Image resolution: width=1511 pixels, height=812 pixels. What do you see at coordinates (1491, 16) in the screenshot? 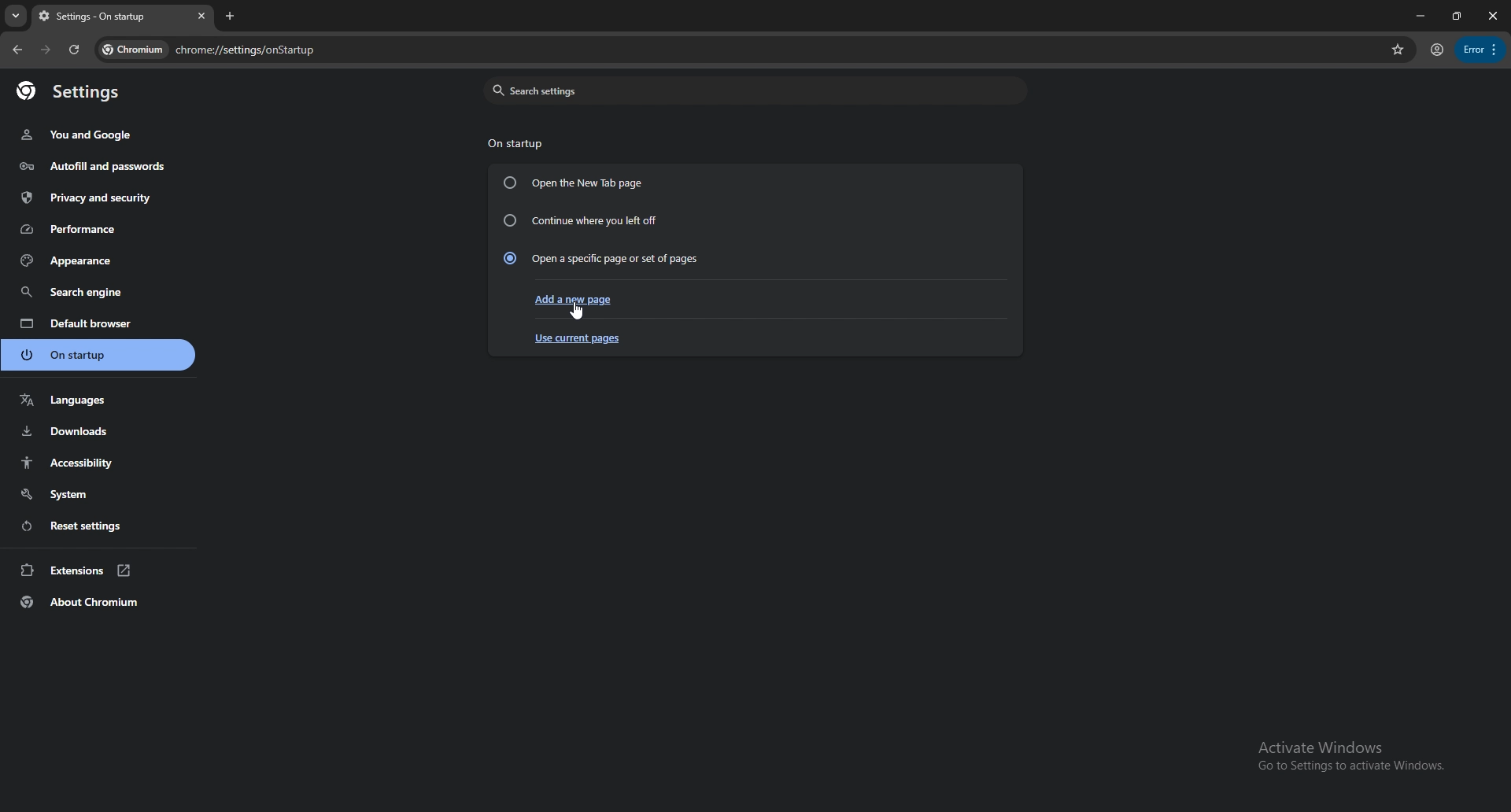
I see `close` at bounding box center [1491, 16].